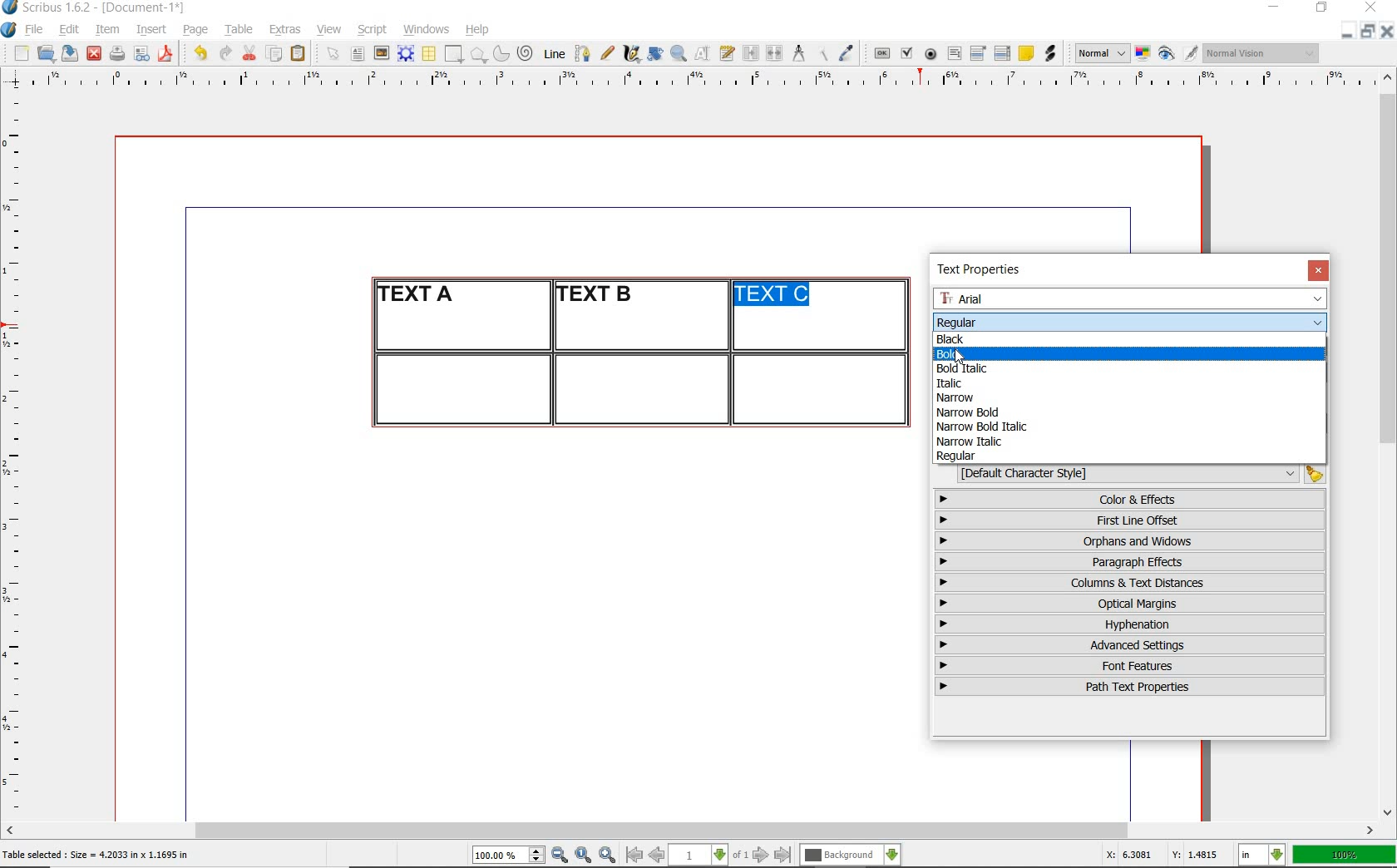 This screenshot has height=868, width=1397. I want to click on link text frames, so click(752, 55).